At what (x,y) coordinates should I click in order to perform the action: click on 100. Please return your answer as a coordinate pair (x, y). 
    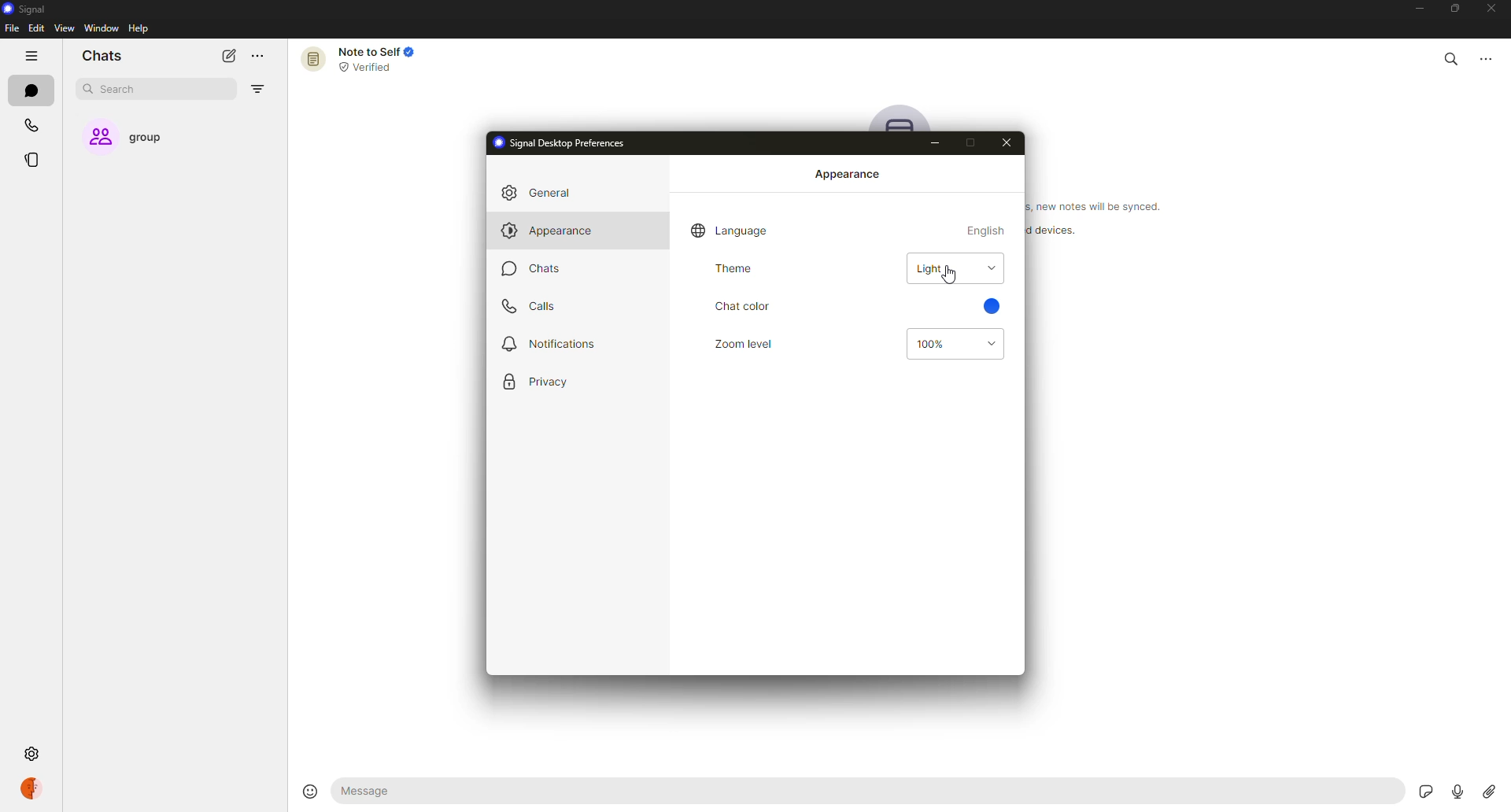
    Looking at the image, I should click on (936, 345).